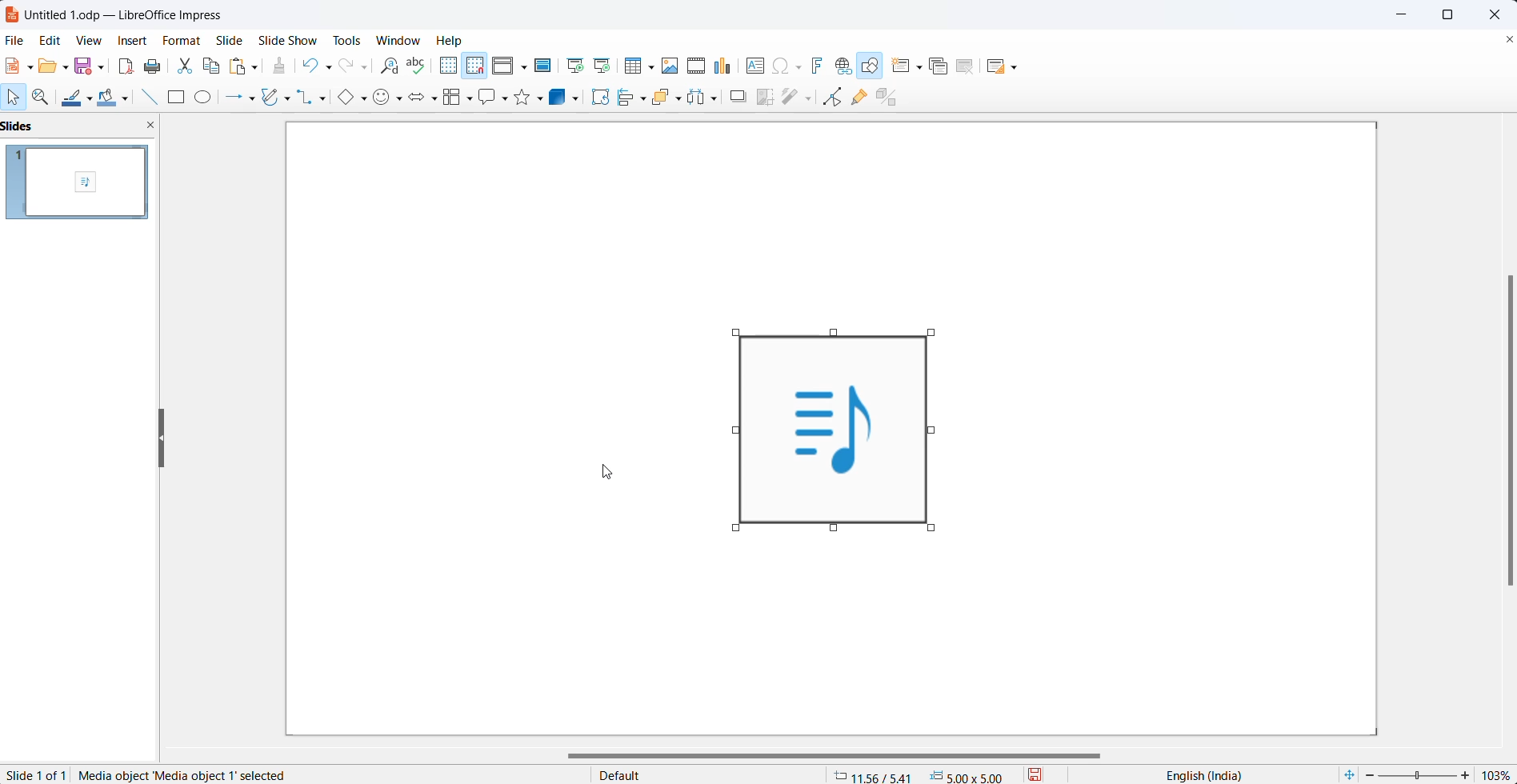 This screenshot has height=784, width=1517. I want to click on format, so click(183, 41).